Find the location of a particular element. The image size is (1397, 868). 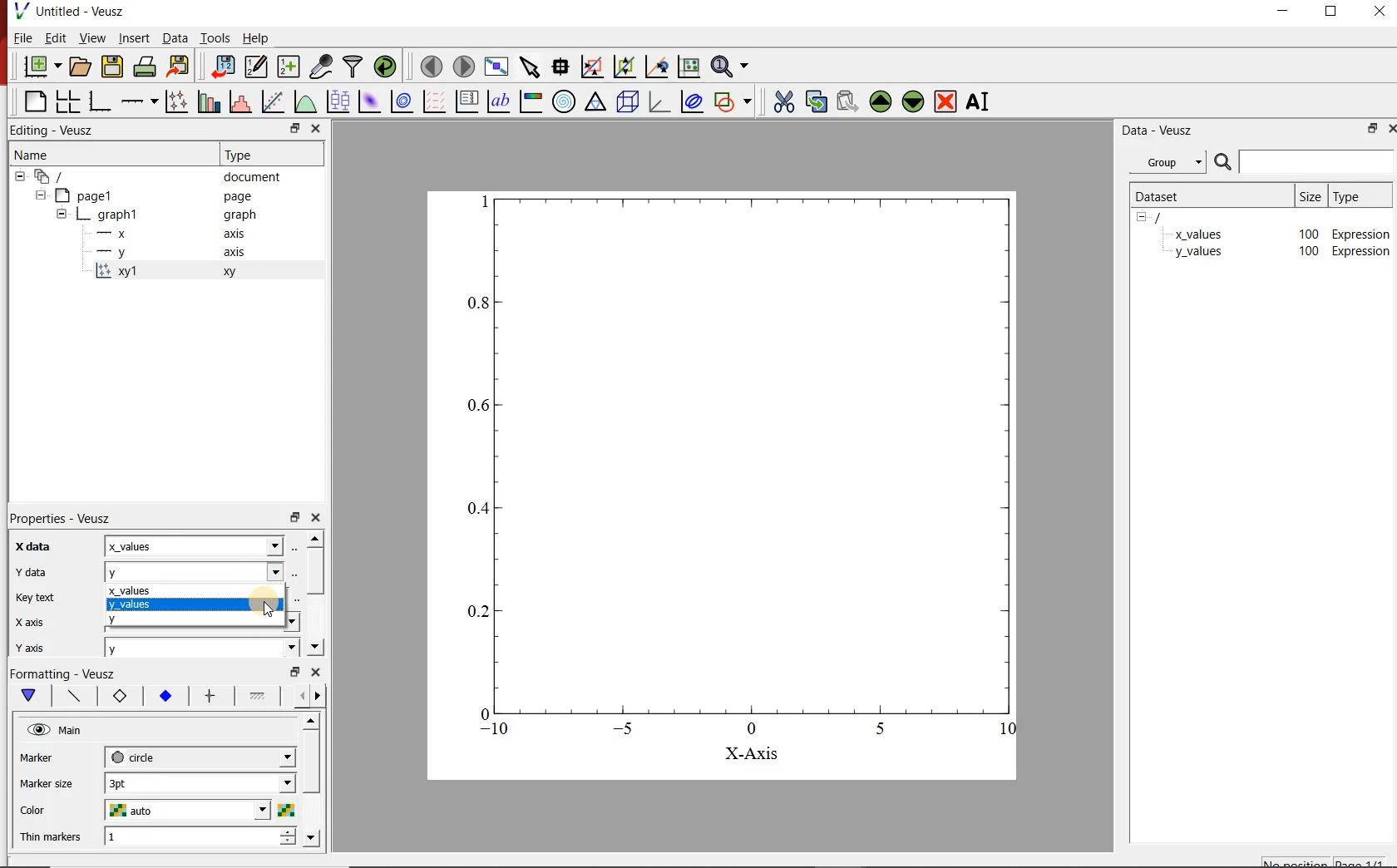

search is located at coordinates (1221, 162).